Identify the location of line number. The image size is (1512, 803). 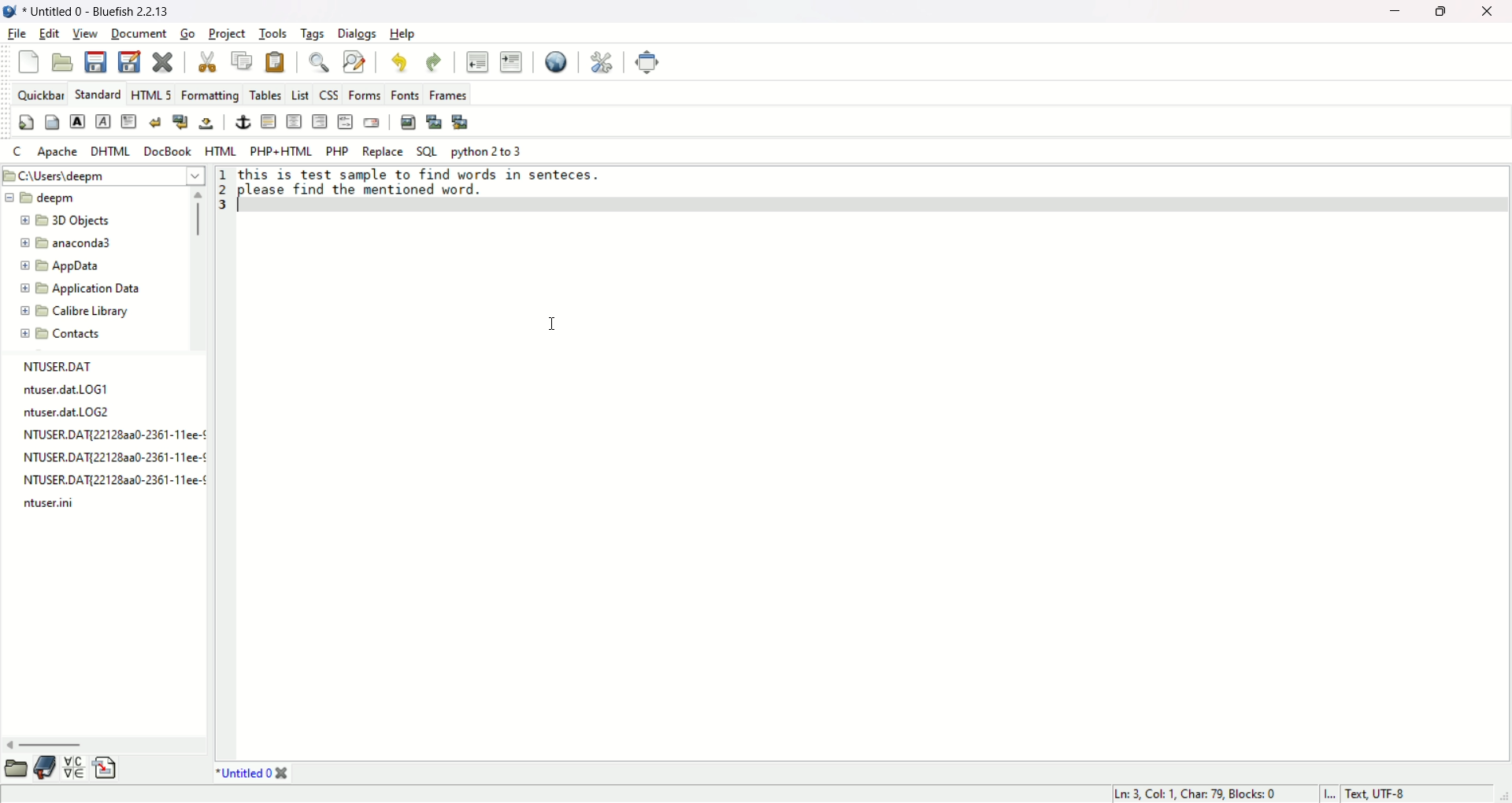
(224, 193).